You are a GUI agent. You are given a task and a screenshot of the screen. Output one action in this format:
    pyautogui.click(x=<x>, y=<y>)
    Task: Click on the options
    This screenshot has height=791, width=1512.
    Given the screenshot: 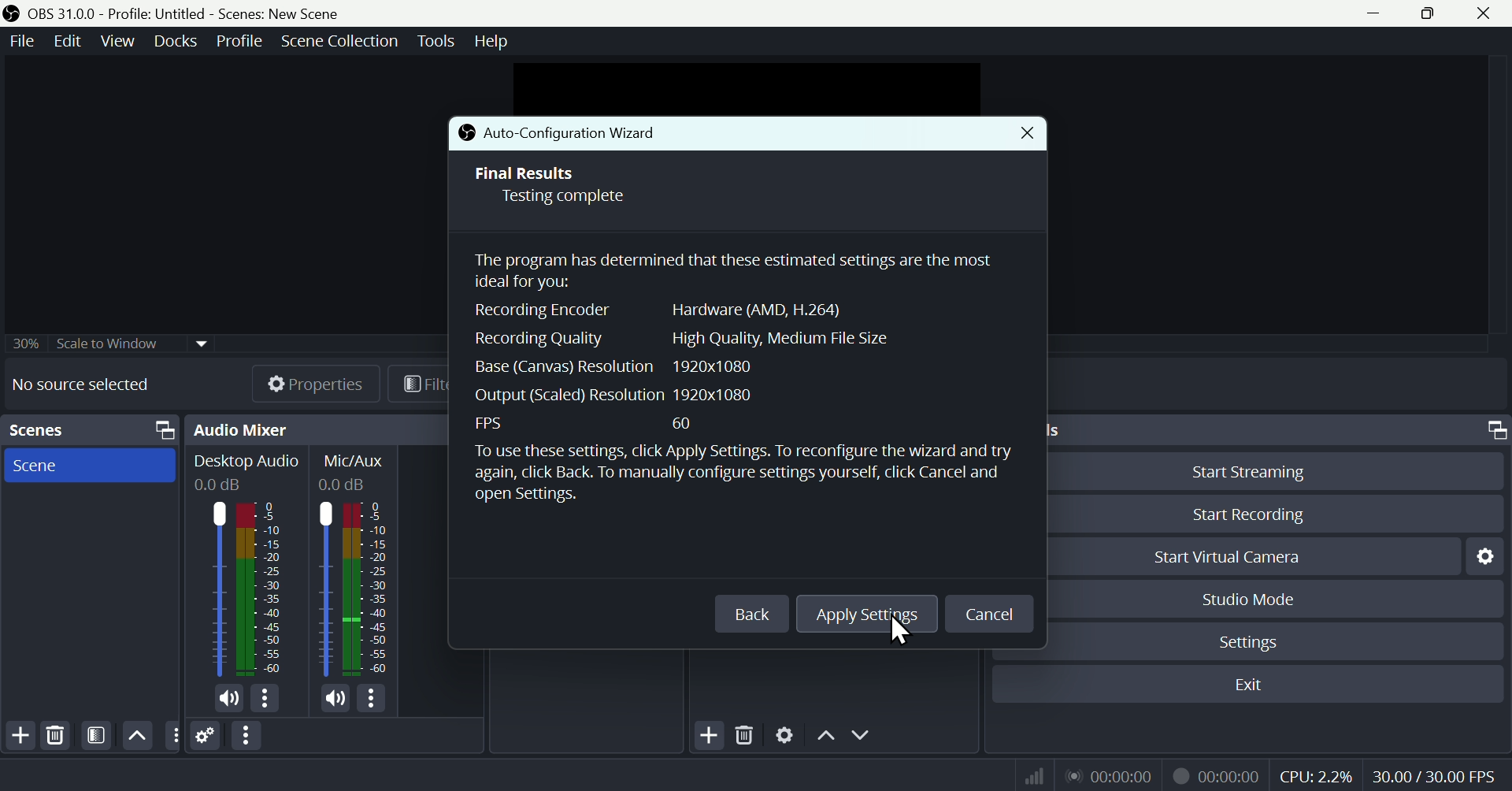 What is the action you would take?
    pyautogui.click(x=370, y=698)
    